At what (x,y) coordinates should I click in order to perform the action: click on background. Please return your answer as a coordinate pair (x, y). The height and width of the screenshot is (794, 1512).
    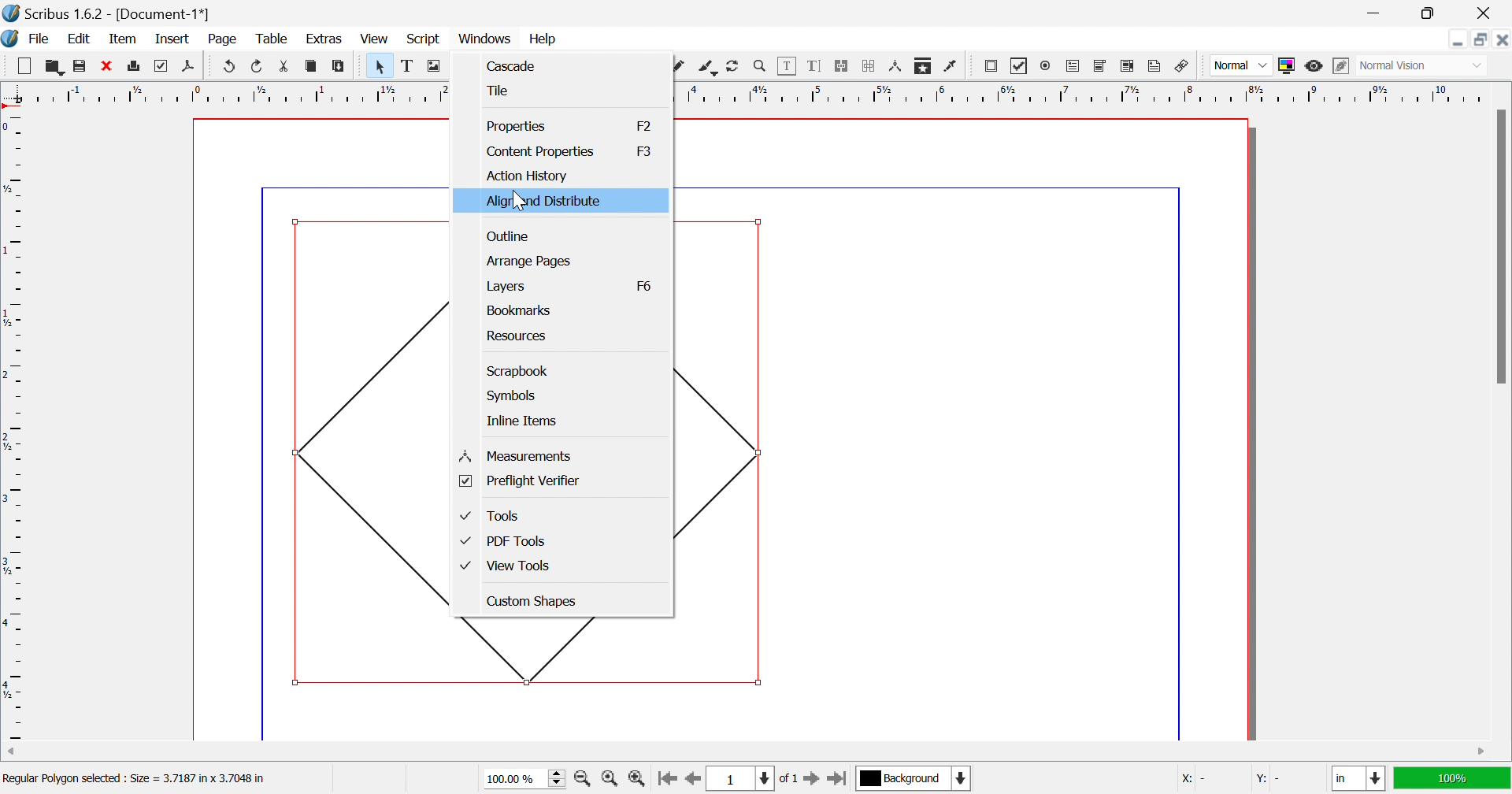
    Looking at the image, I should click on (915, 777).